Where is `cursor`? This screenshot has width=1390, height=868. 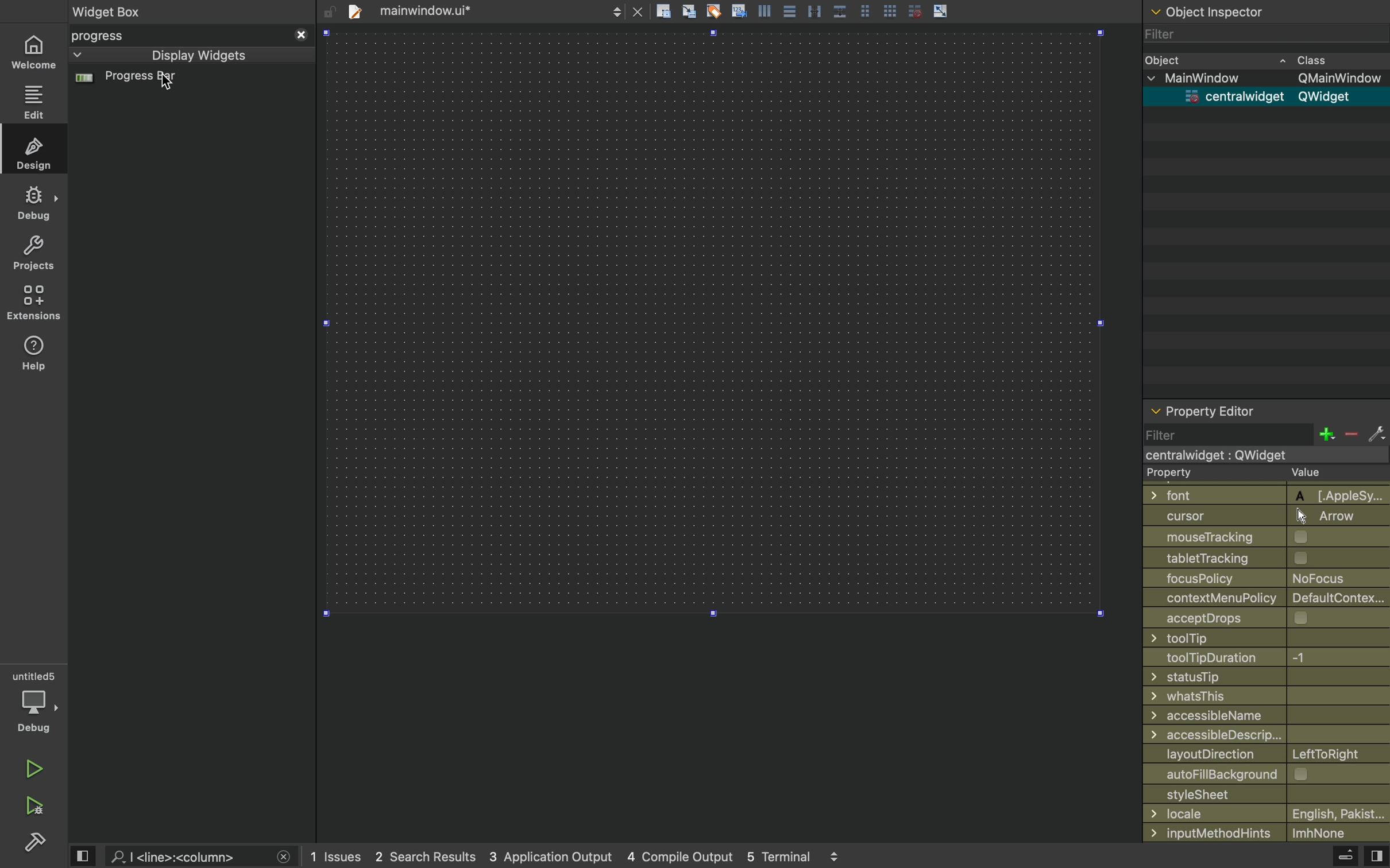 cursor is located at coordinates (156, 88).